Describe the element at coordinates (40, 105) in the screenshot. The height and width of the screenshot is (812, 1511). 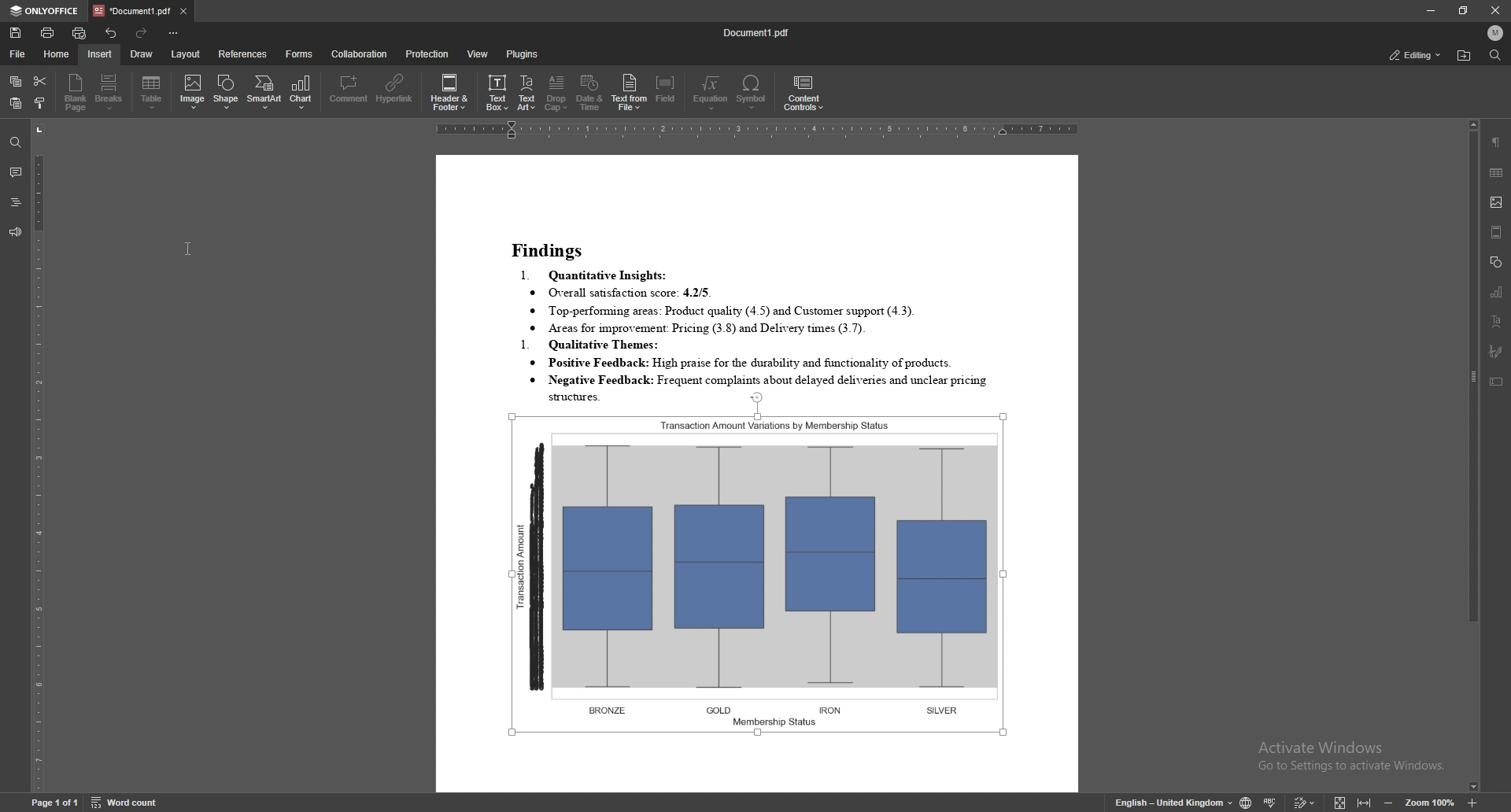
I see `copy style` at that location.